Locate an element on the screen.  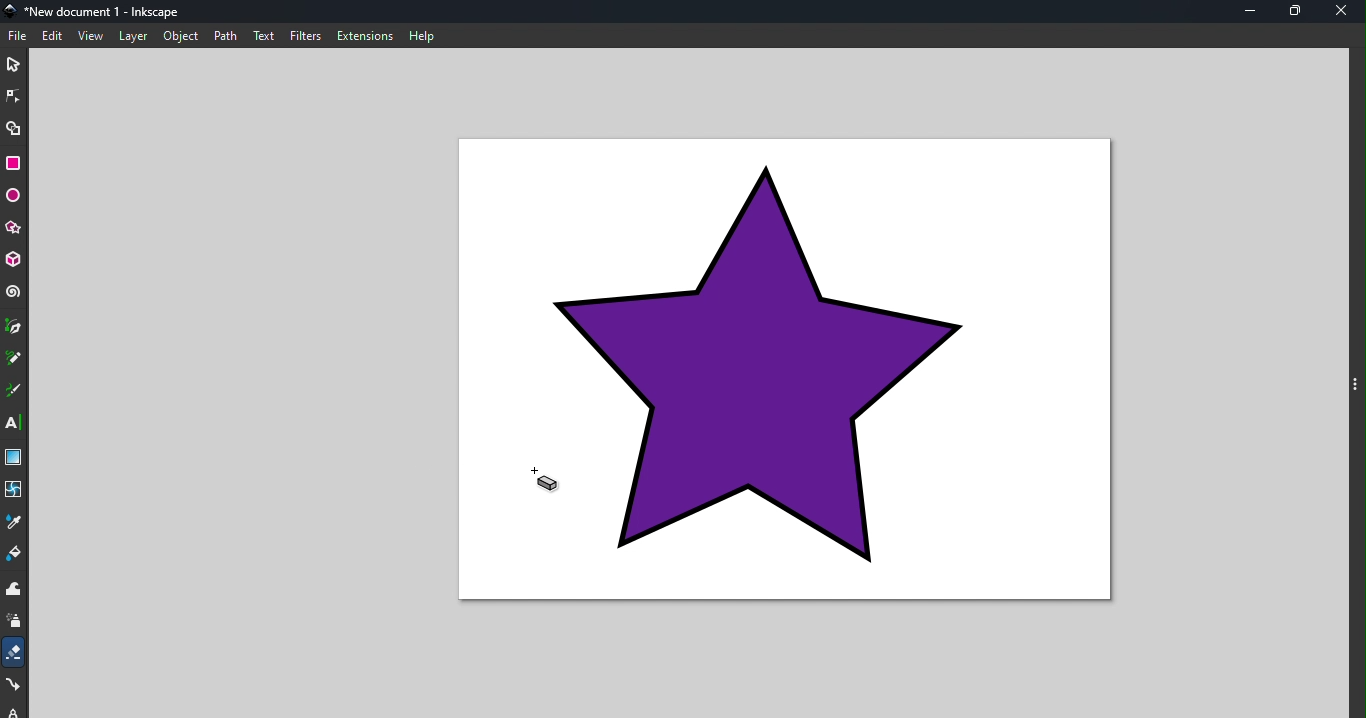
extensions is located at coordinates (366, 36).